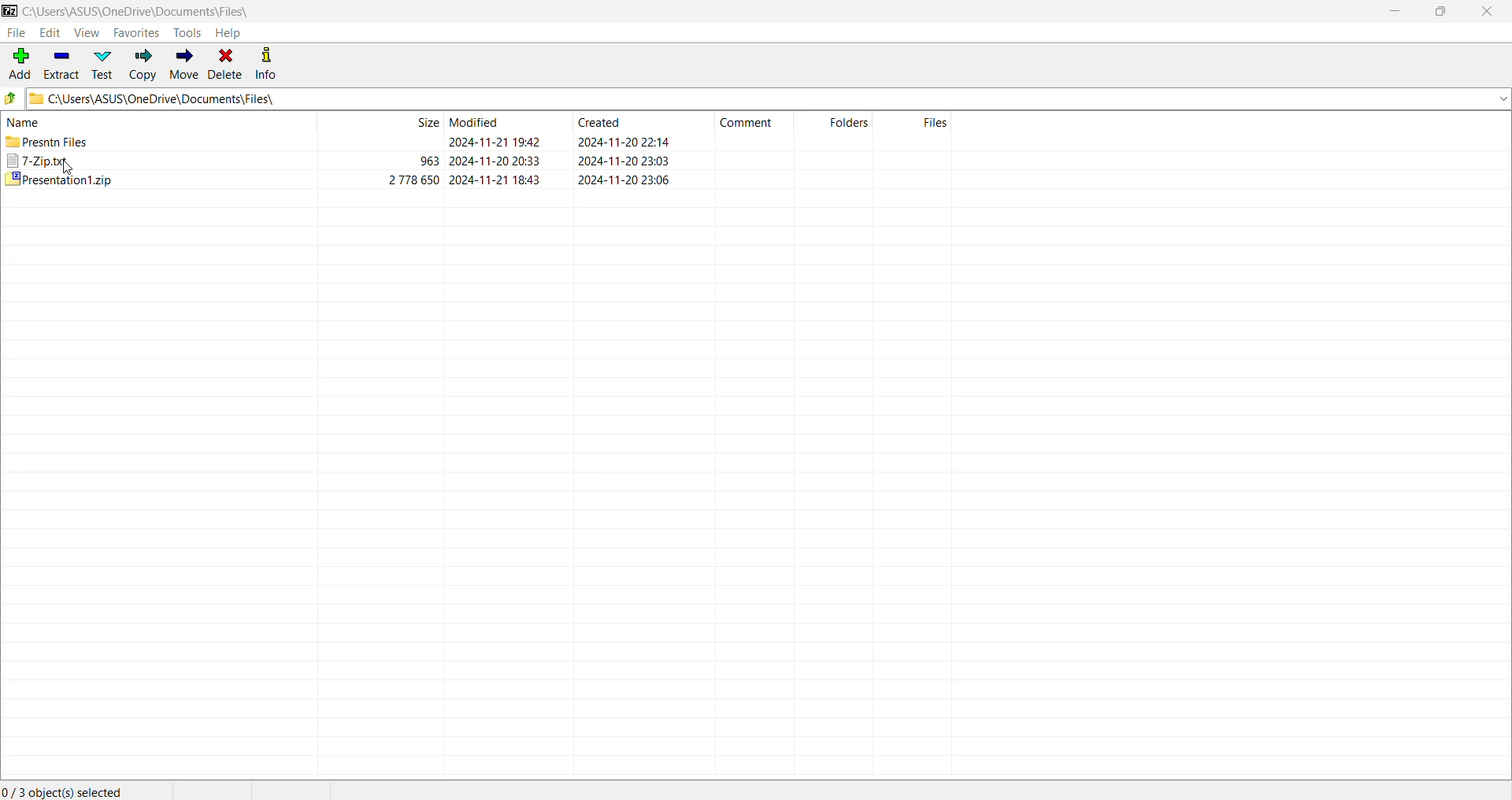 The width and height of the screenshot is (1512, 800). Describe the element at coordinates (495, 161) in the screenshot. I see `modified date & time` at that location.